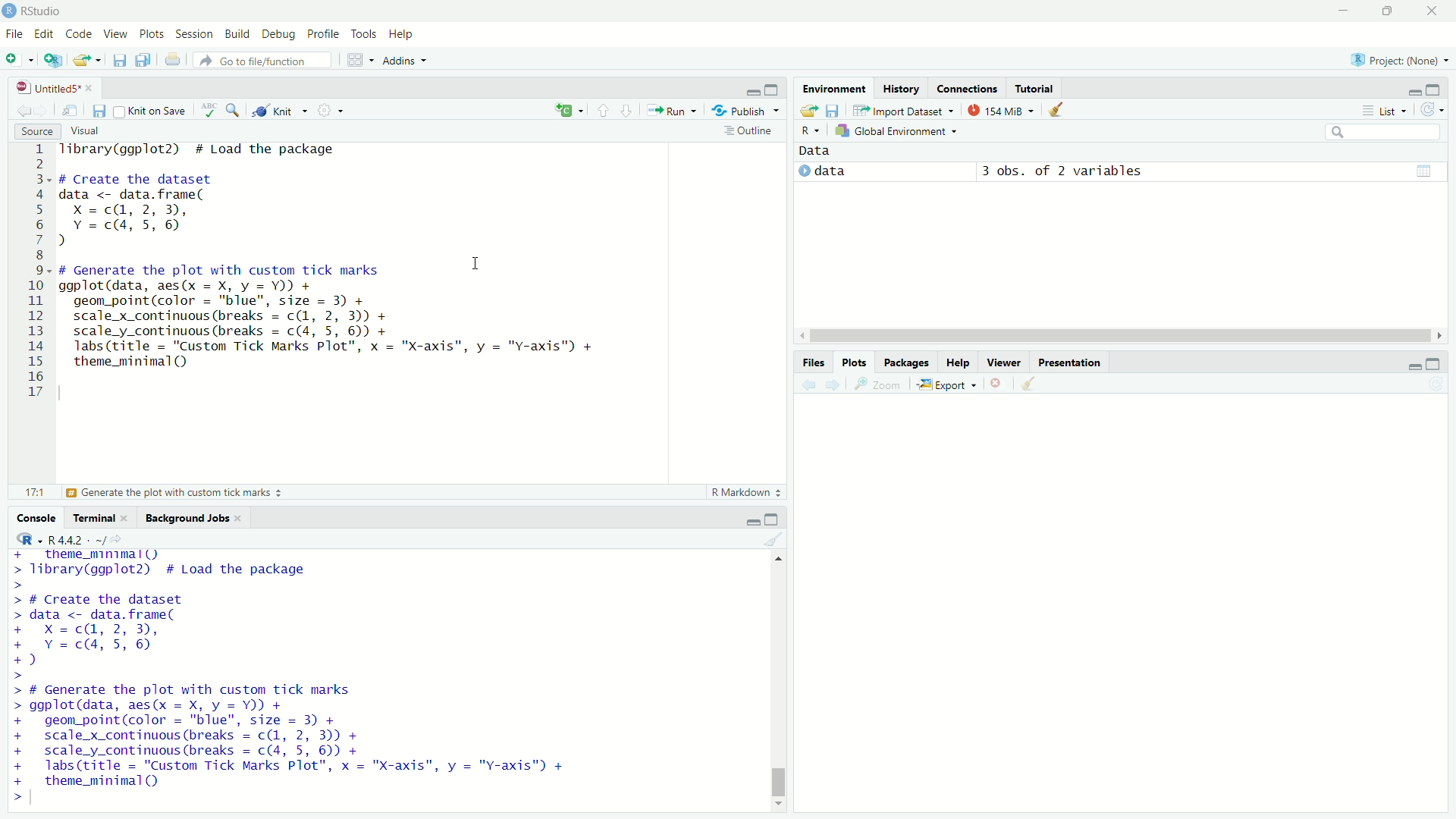  I want to click on knit on save, so click(155, 110).